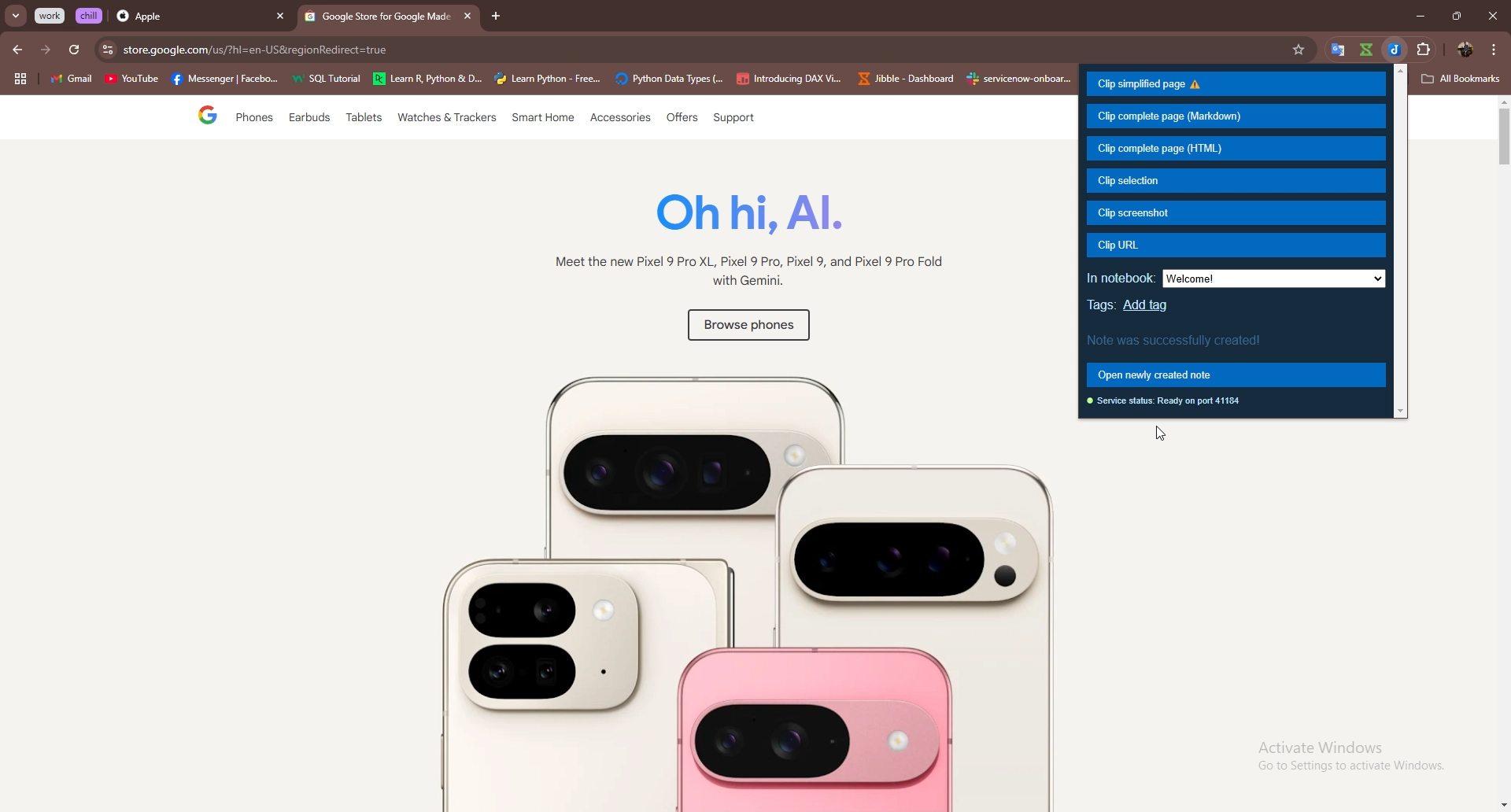 Image resolution: width=1511 pixels, height=812 pixels. Describe the element at coordinates (702, 50) in the screenshot. I see `apple.com` at that location.